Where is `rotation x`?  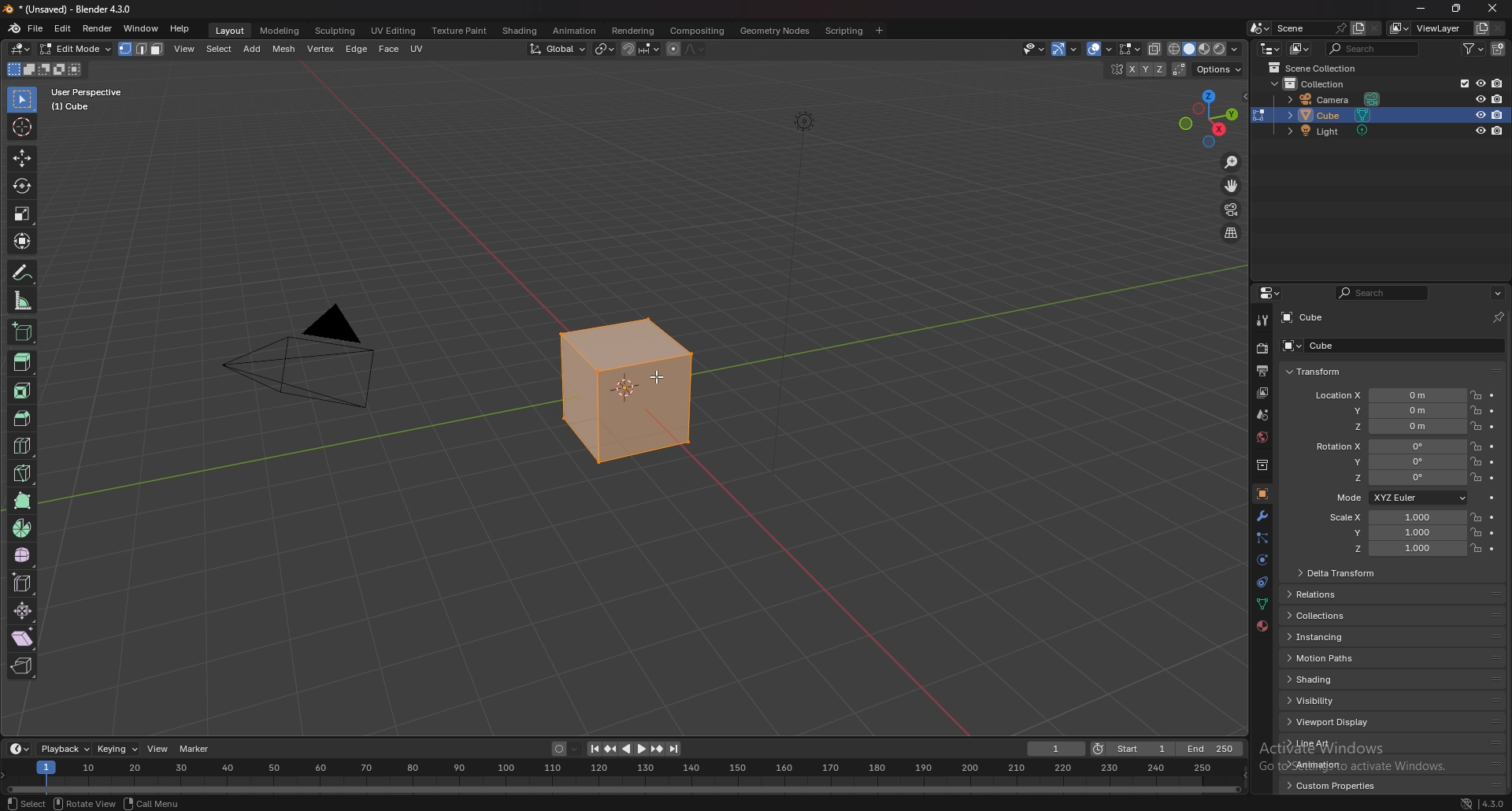 rotation x is located at coordinates (1386, 447).